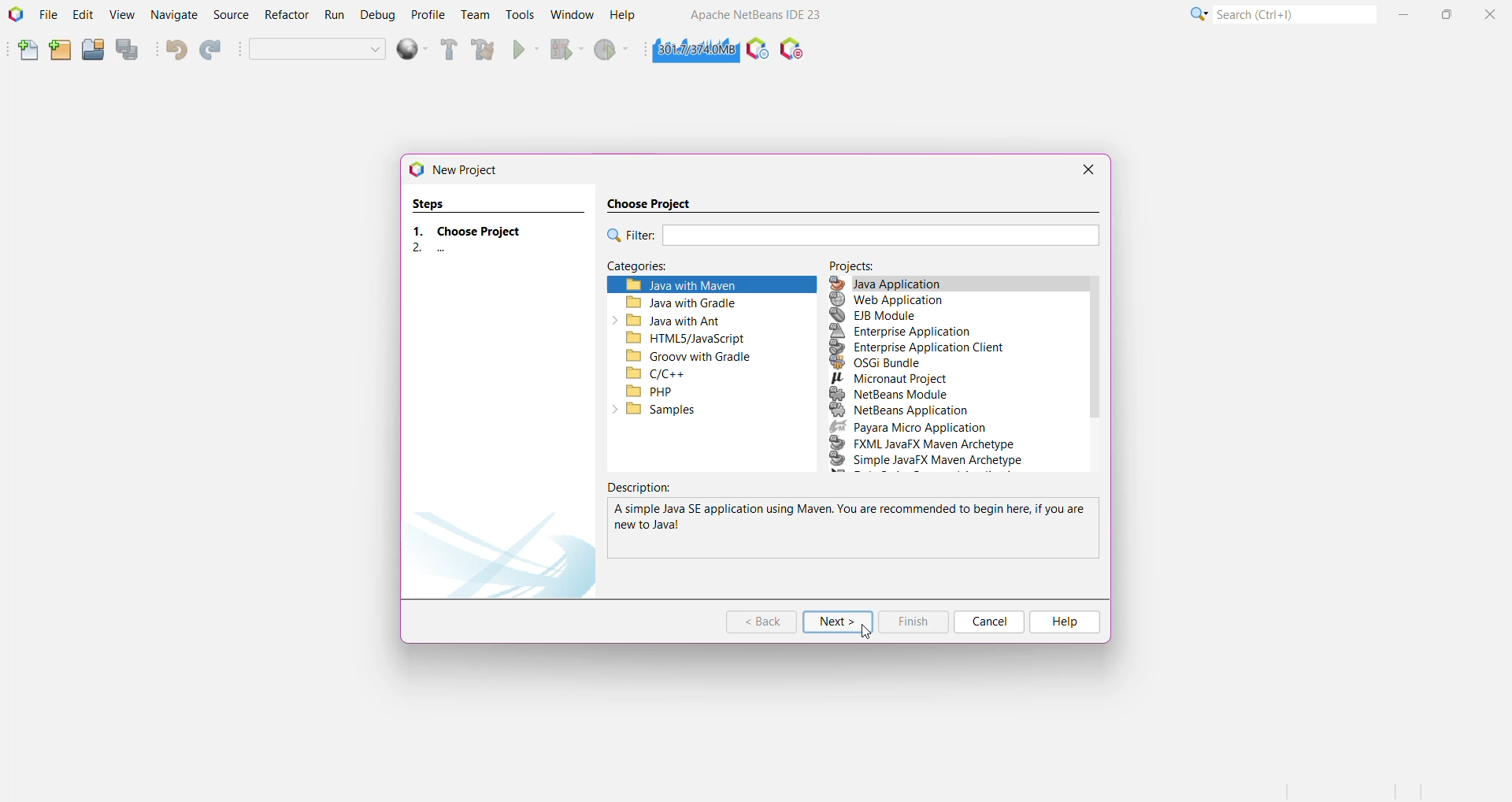 The height and width of the screenshot is (802, 1512). Describe the element at coordinates (936, 265) in the screenshot. I see `Projects` at that location.